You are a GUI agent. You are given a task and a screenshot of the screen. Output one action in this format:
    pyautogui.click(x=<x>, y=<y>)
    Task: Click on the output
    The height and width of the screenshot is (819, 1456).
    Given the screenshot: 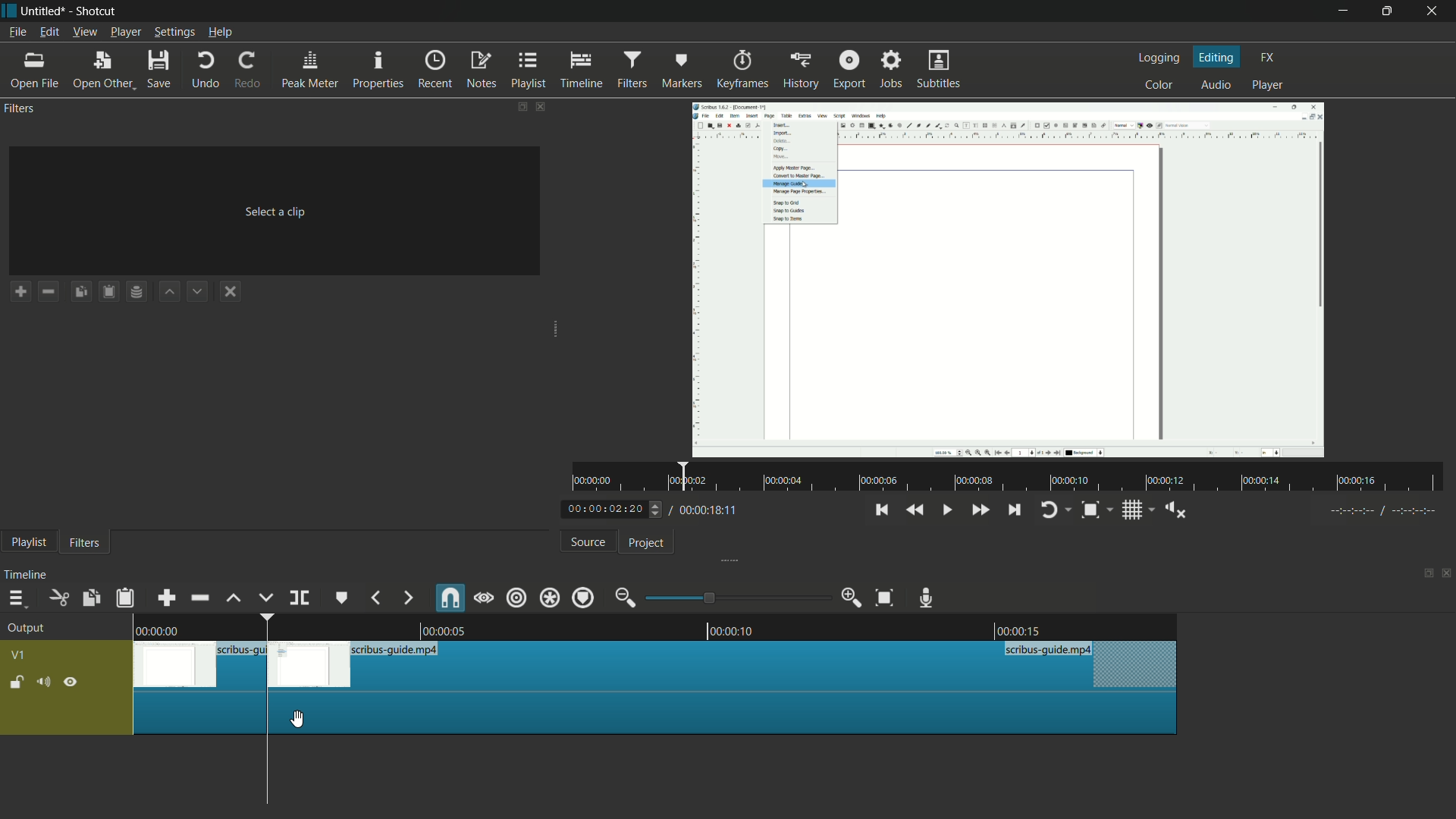 What is the action you would take?
    pyautogui.click(x=26, y=629)
    